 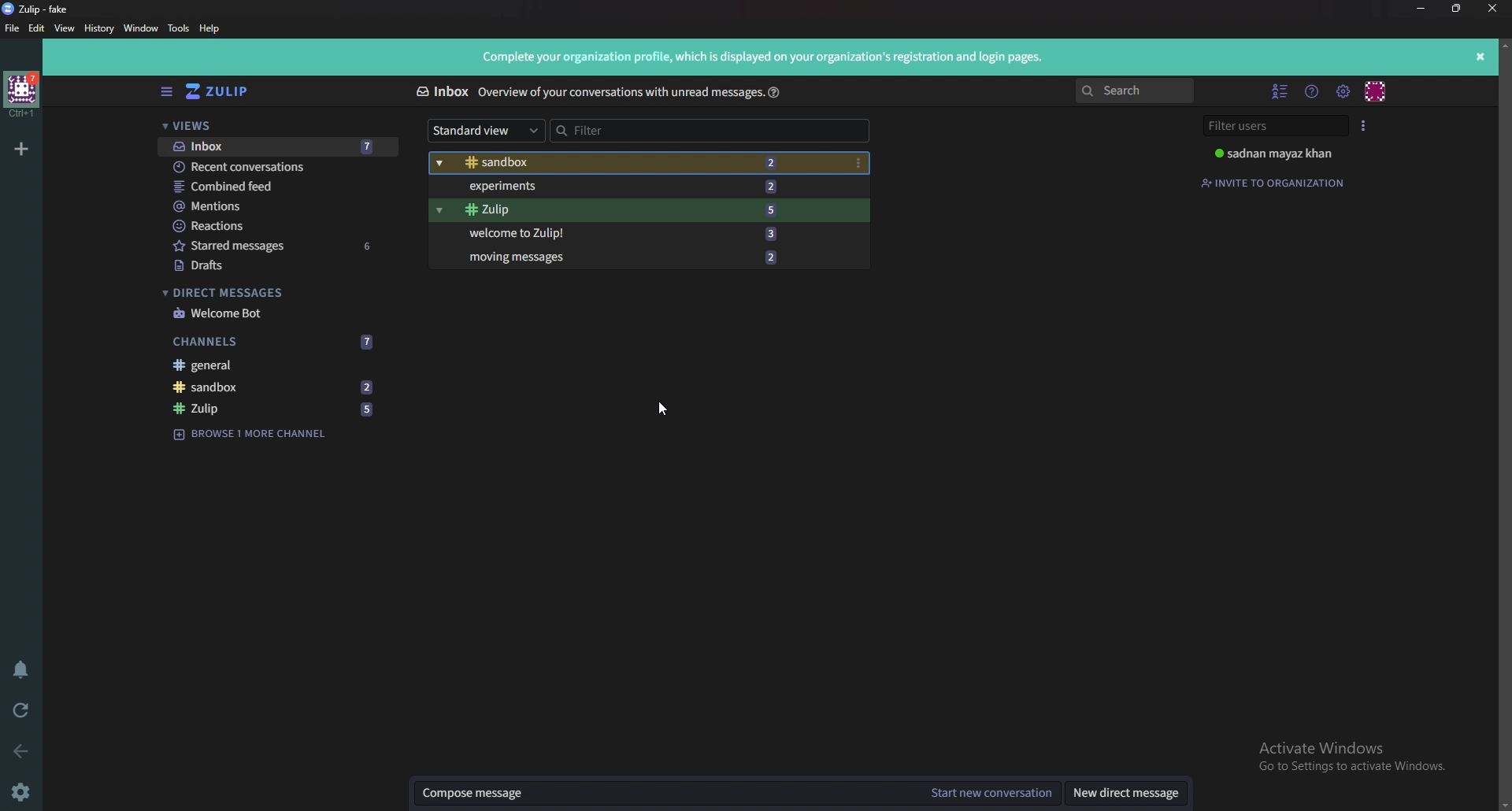 What do you see at coordinates (617, 93) in the screenshot?
I see `Overview of your conversations with unread messages` at bounding box center [617, 93].